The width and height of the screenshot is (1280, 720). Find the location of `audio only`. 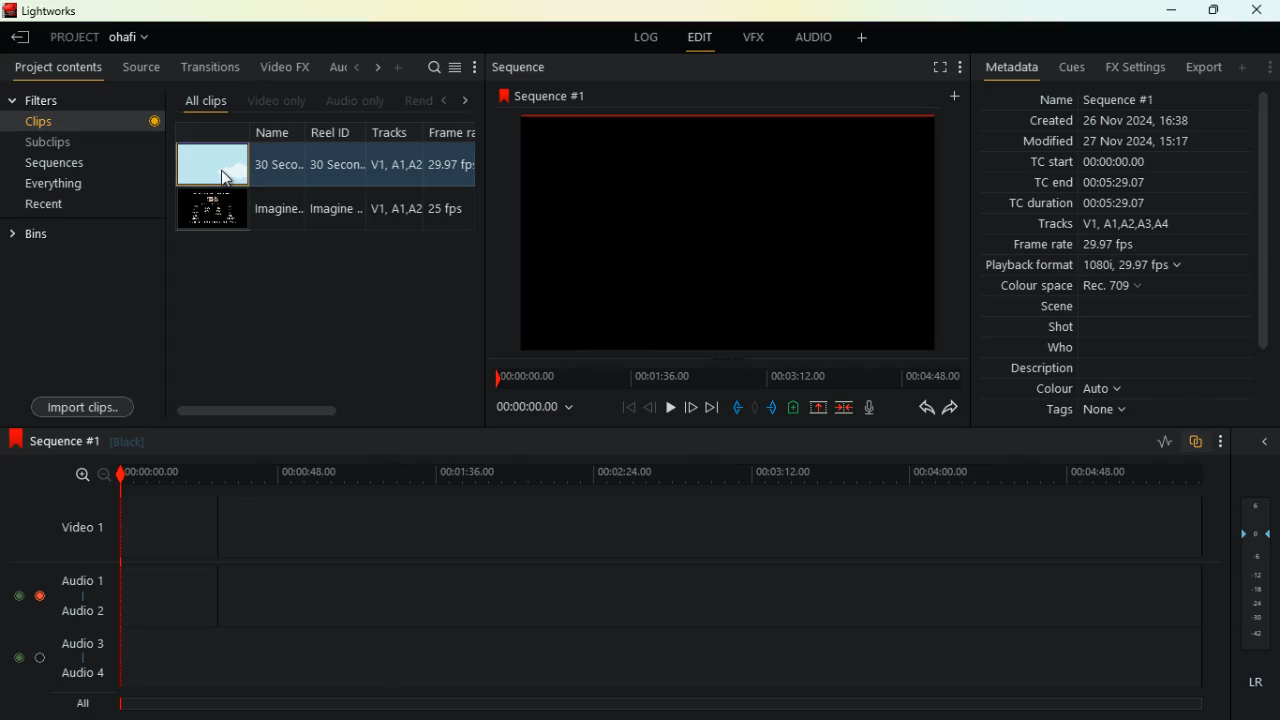

audio only is located at coordinates (356, 100).